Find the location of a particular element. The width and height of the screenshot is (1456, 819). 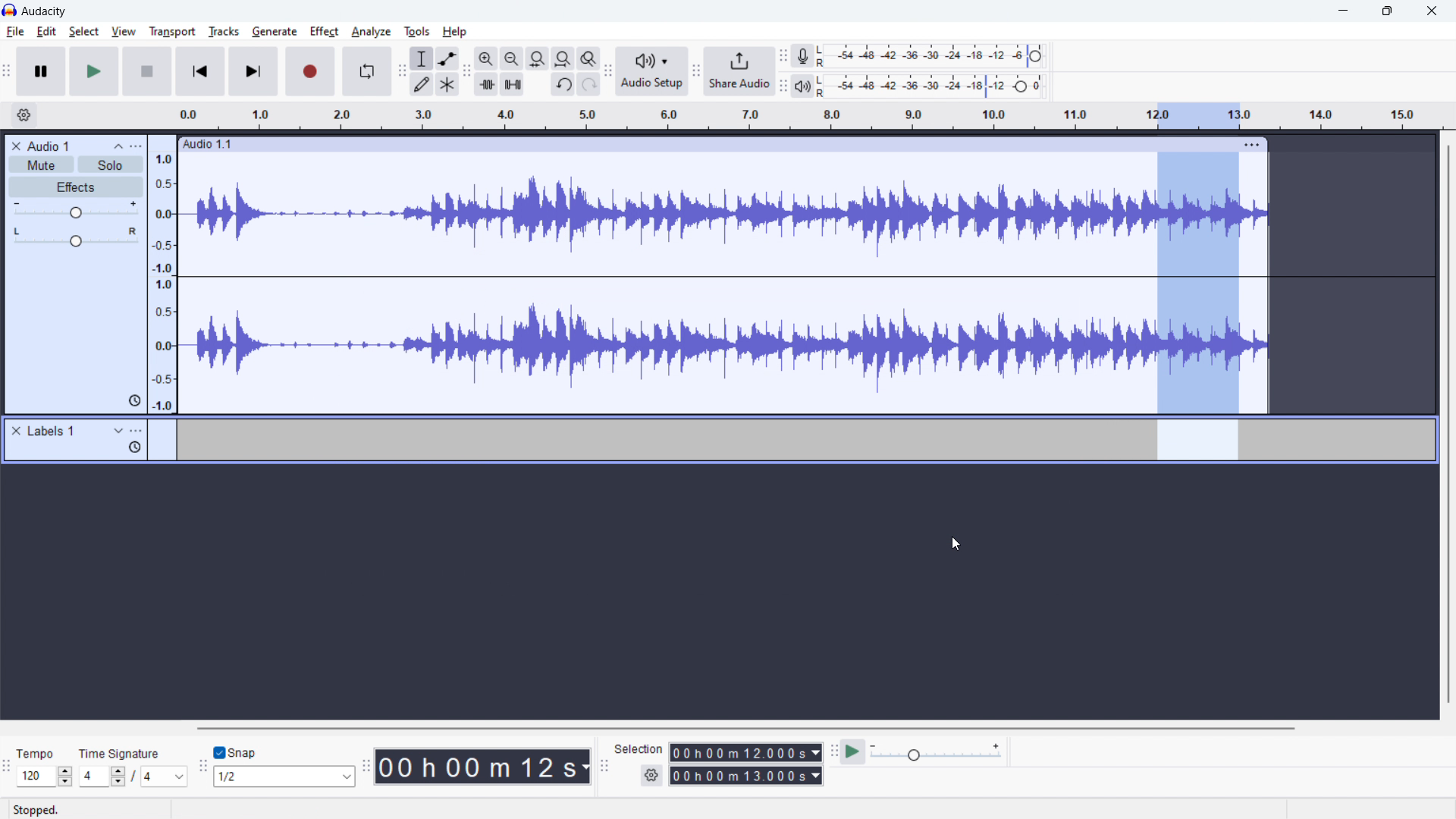

tools toolbar is located at coordinates (402, 71).